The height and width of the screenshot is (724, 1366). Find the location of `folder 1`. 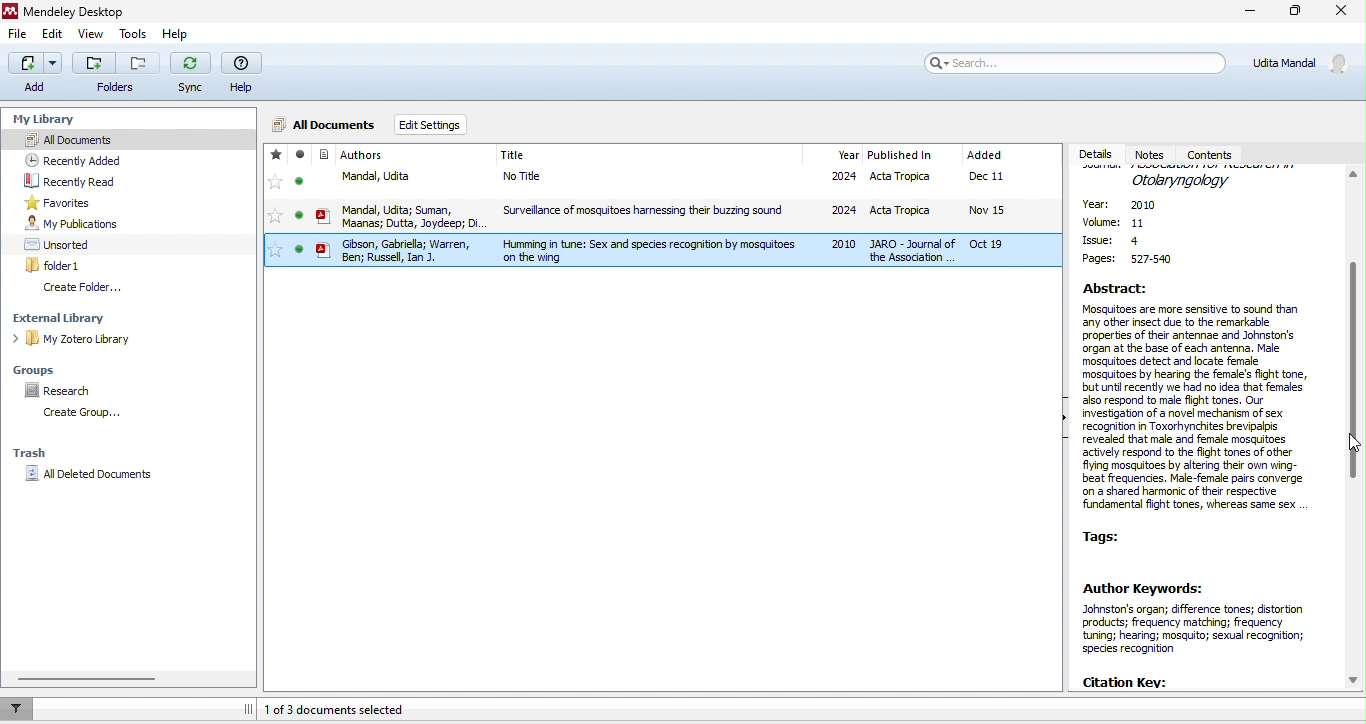

folder 1 is located at coordinates (56, 265).